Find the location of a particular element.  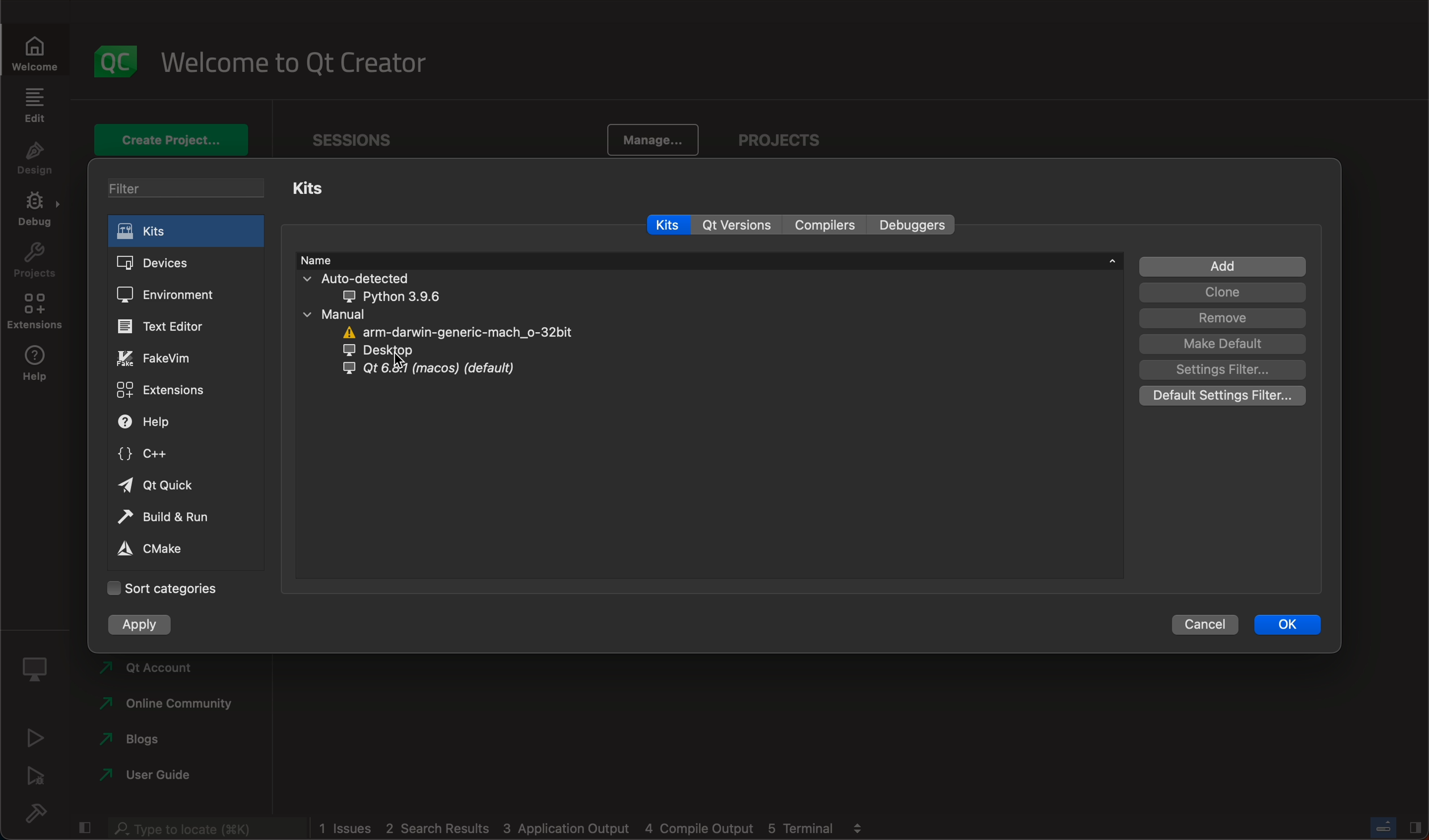

clone is located at coordinates (1223, 293).